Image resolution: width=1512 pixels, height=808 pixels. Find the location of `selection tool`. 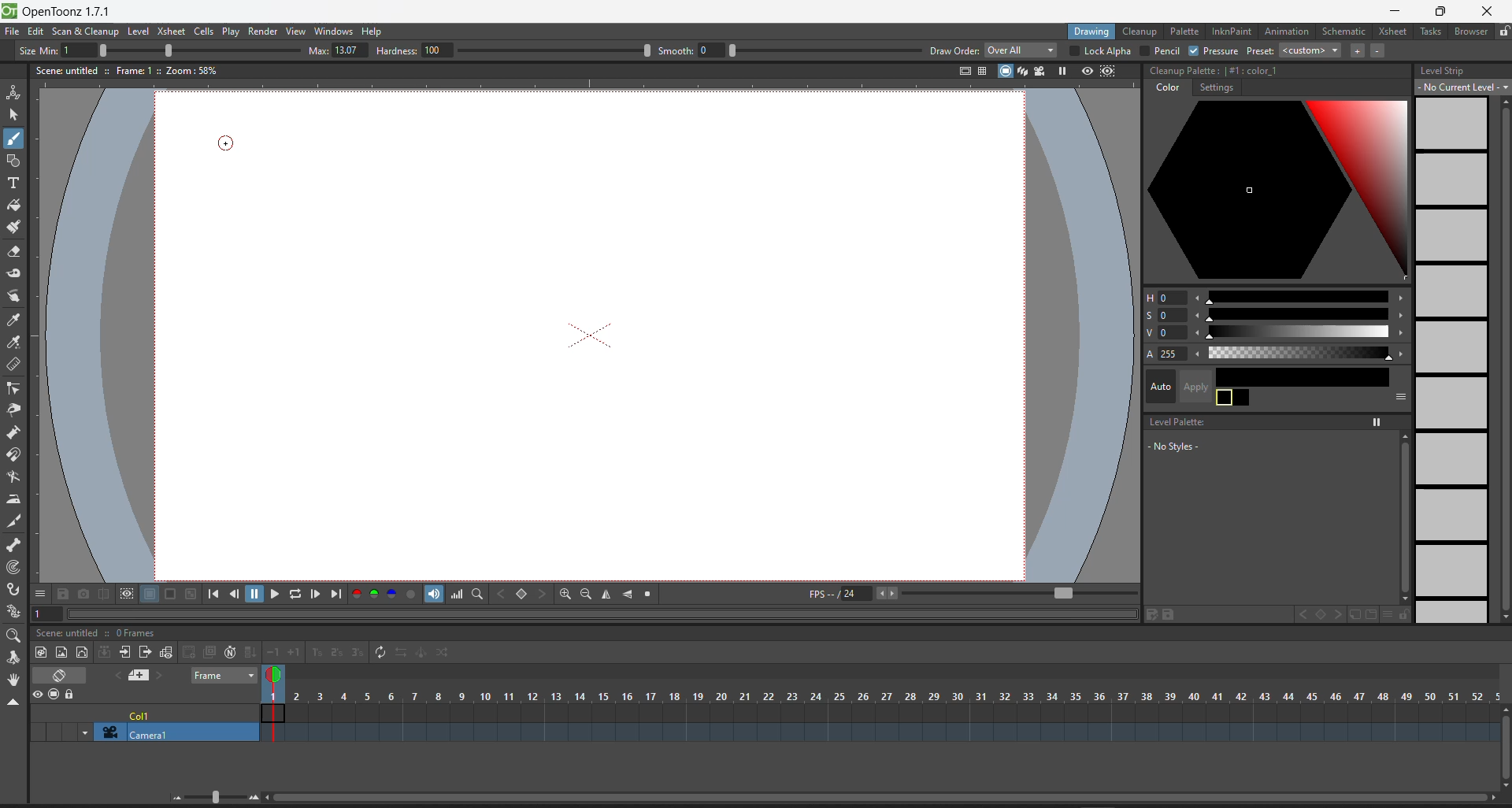

selection tool is located at coordinates (14, 114).